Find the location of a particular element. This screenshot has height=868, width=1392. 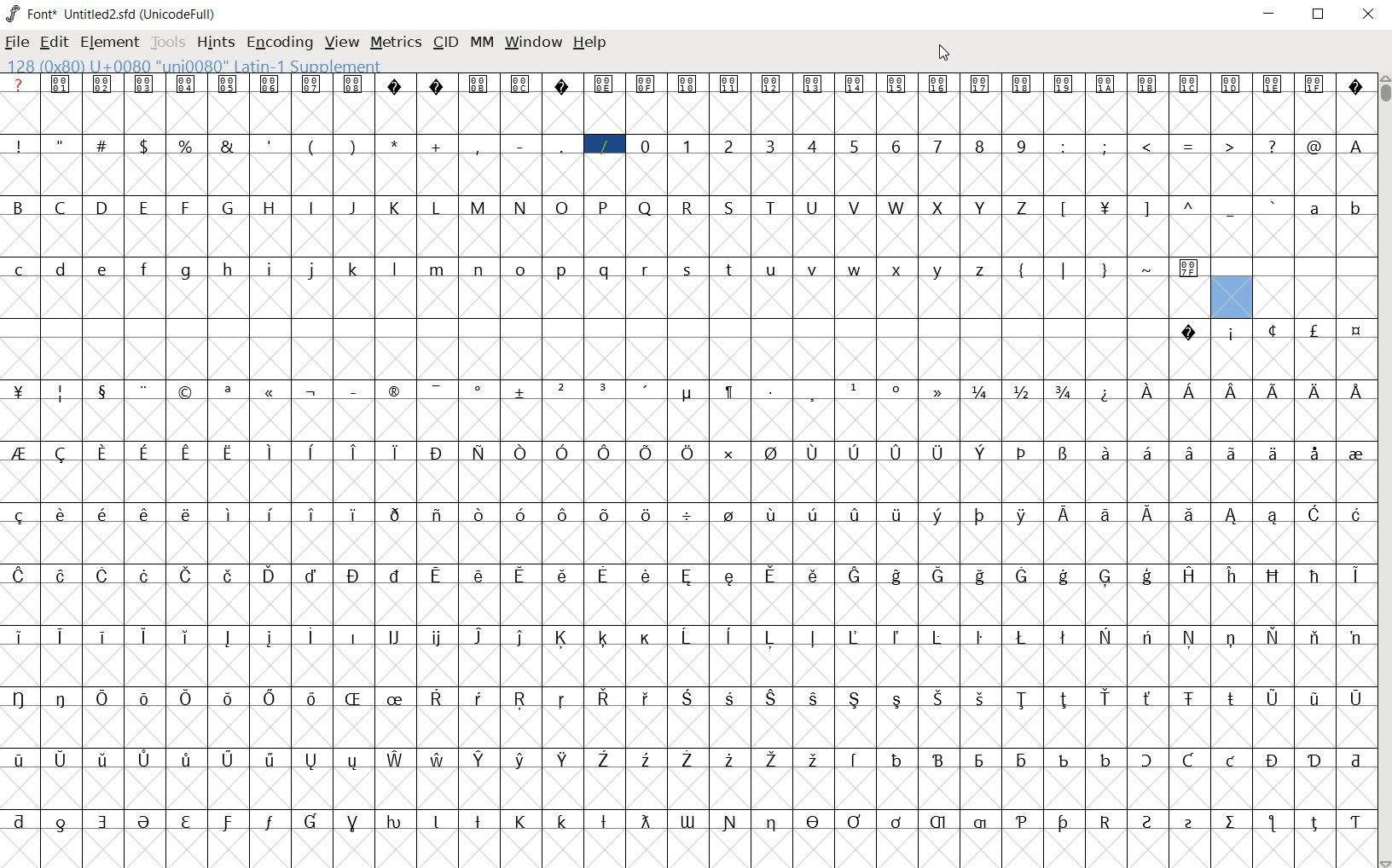

glyph is located at coordinates (438, 759).